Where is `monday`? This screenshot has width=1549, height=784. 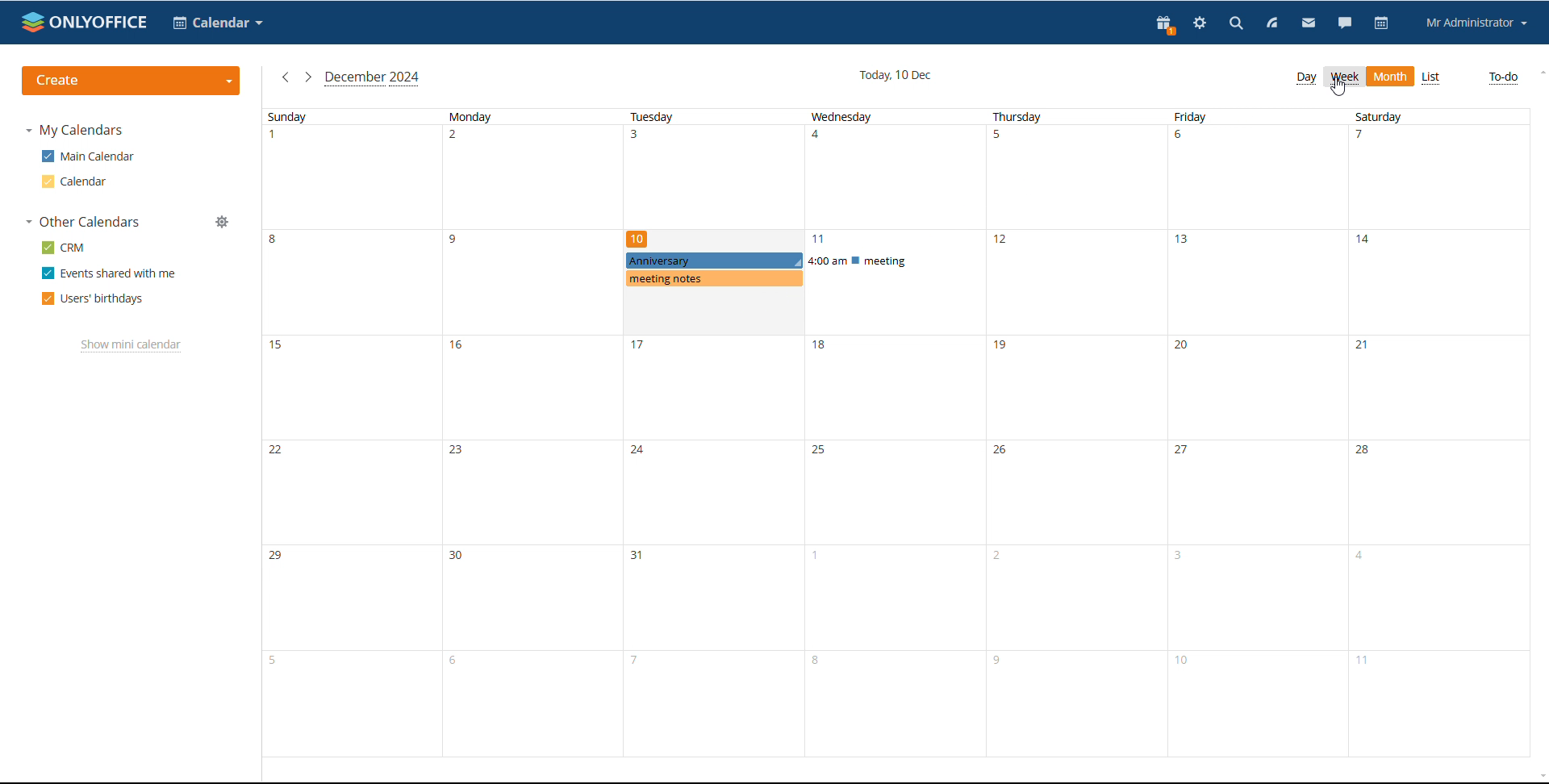 monday is located at coordinates (532, 433).